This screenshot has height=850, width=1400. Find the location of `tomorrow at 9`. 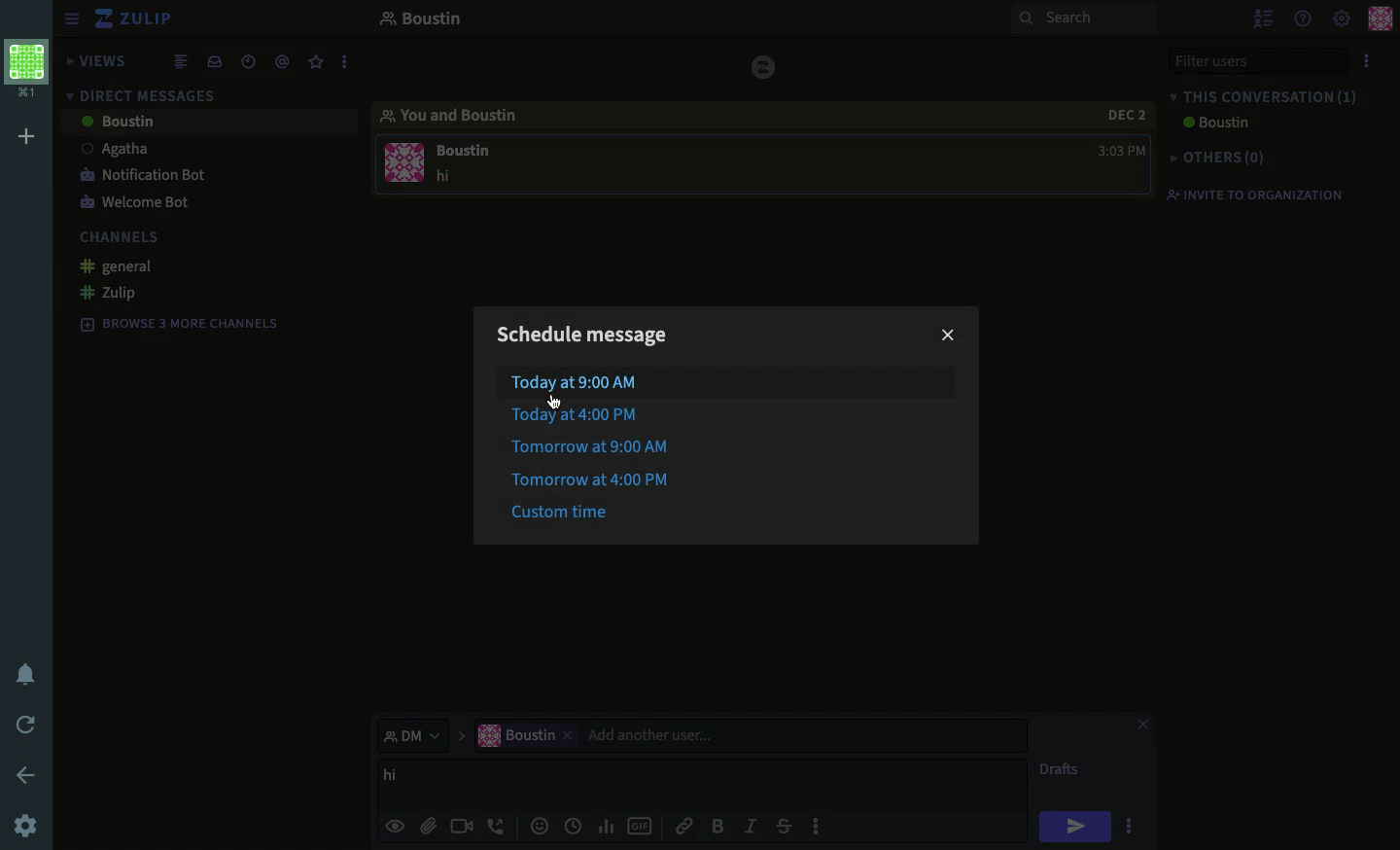

tomorrow at 9 is located at coordinates (595, 445).